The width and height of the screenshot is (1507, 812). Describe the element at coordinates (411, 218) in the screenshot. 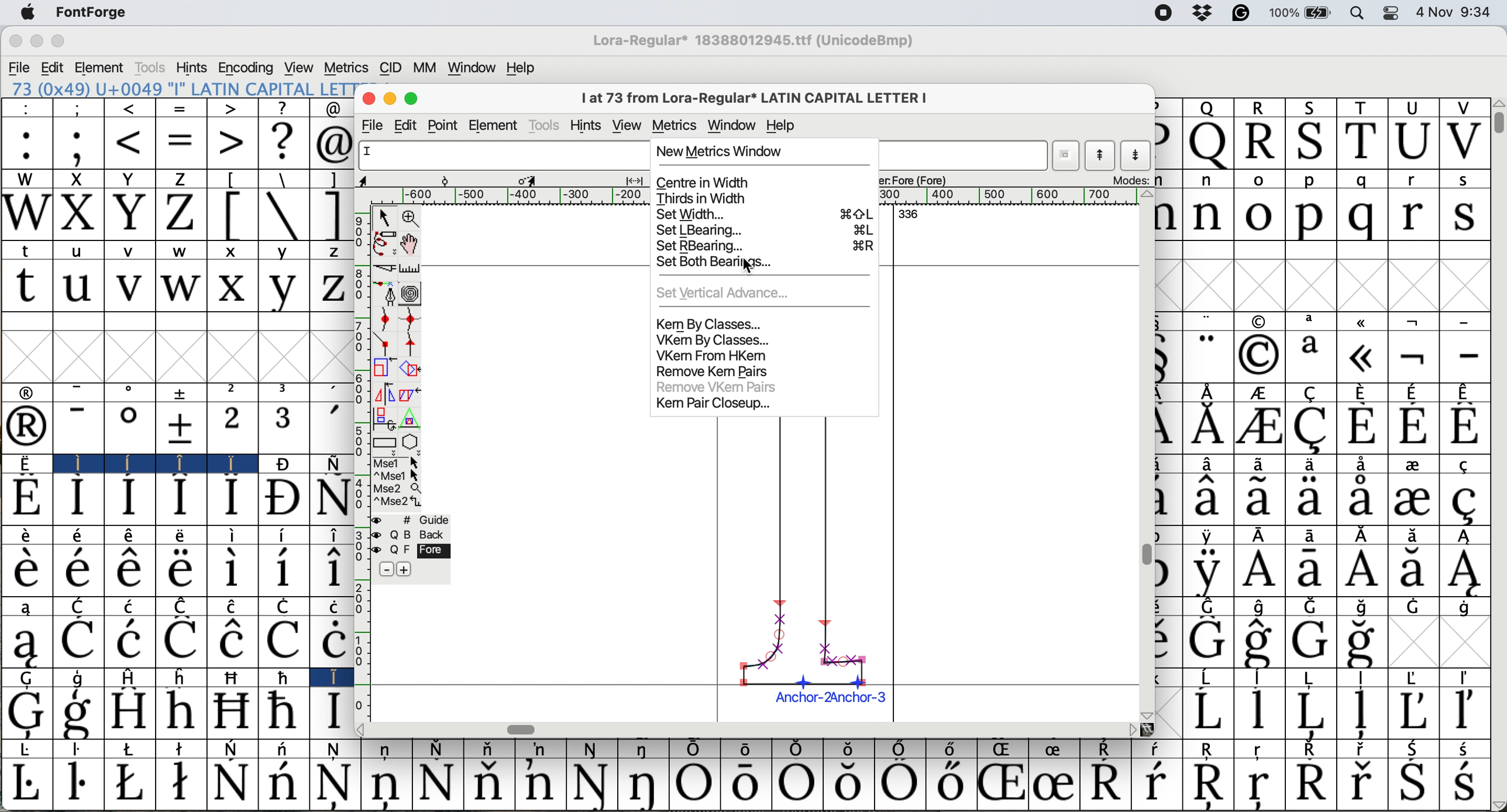

I see `zoom in` at that location.